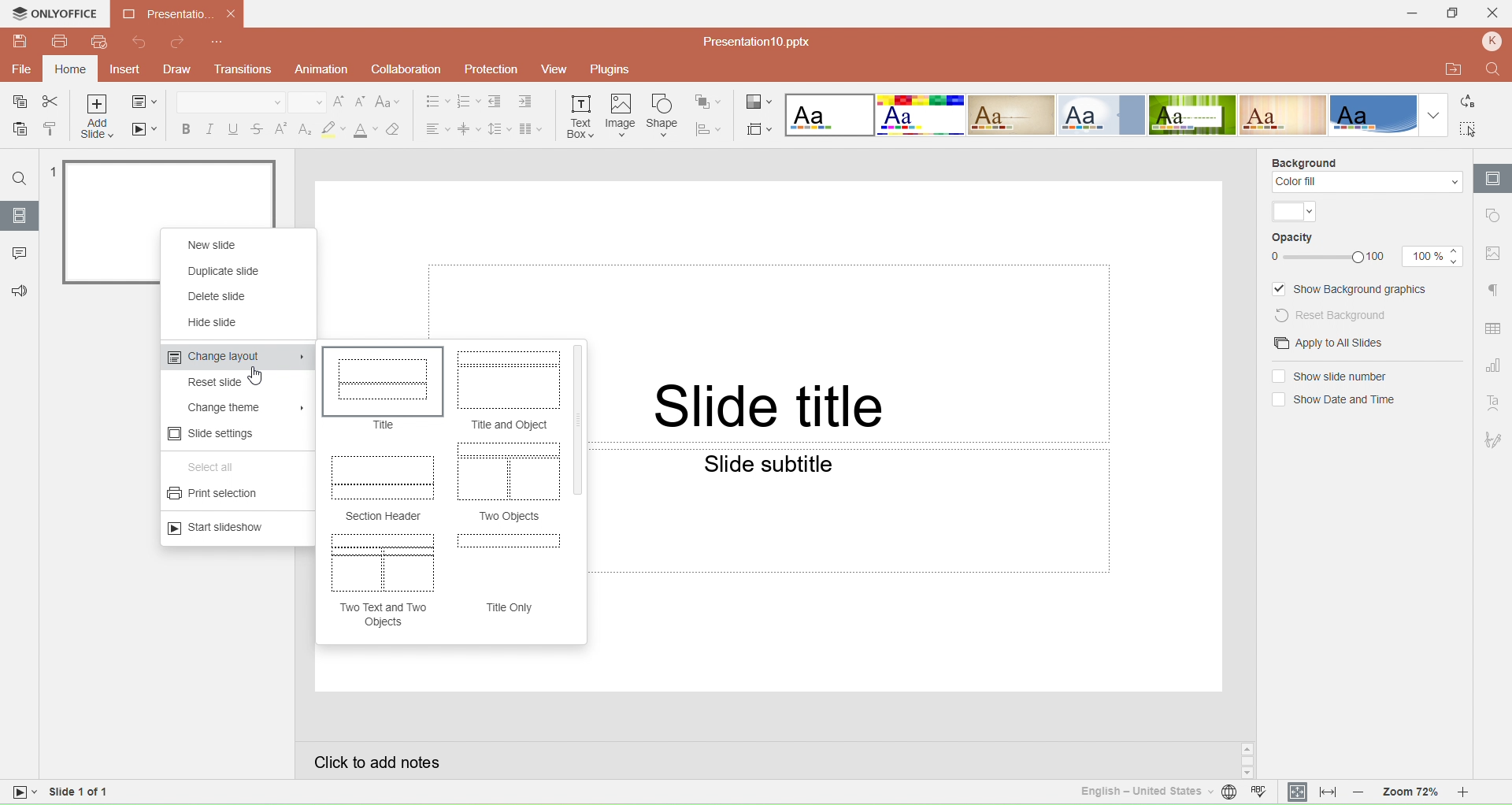 The height and width of the screenshot is (805, 1512). Describe the element at coordinates (213, 434) in the screenshot. I see `Slide settings` at that location.